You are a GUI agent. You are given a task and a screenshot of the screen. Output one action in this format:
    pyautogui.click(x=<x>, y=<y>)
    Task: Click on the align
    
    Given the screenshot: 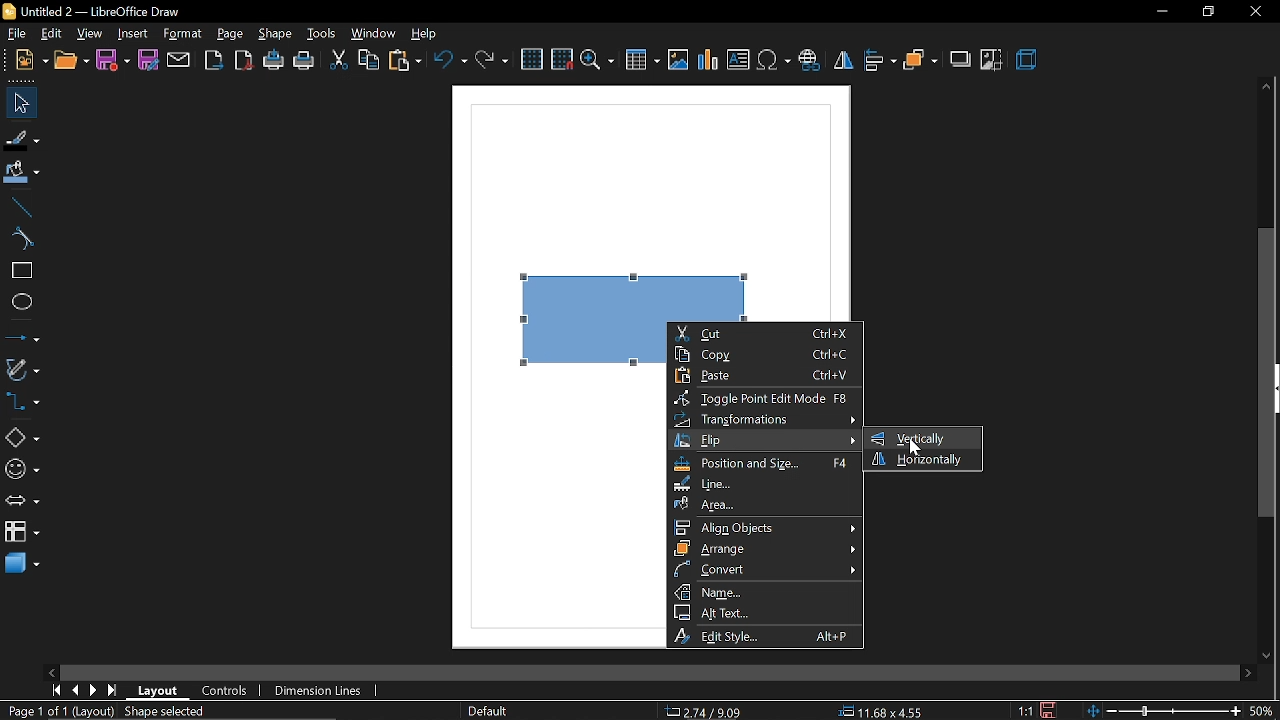 What is the action you would take?
    pyautogui.click(x=882, y=60)
    